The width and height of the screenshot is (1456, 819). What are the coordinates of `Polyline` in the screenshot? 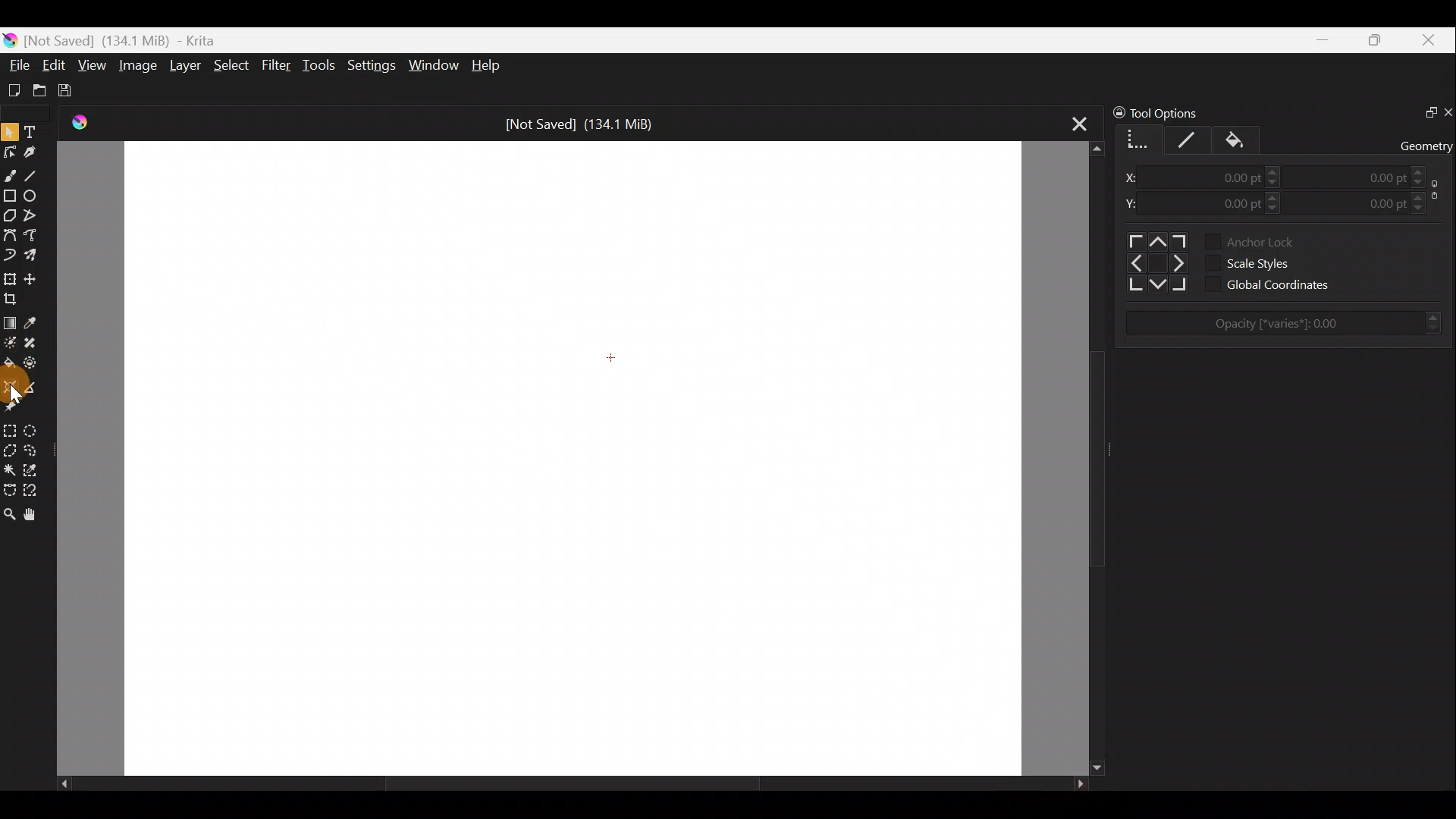 It's located at (35, 216).